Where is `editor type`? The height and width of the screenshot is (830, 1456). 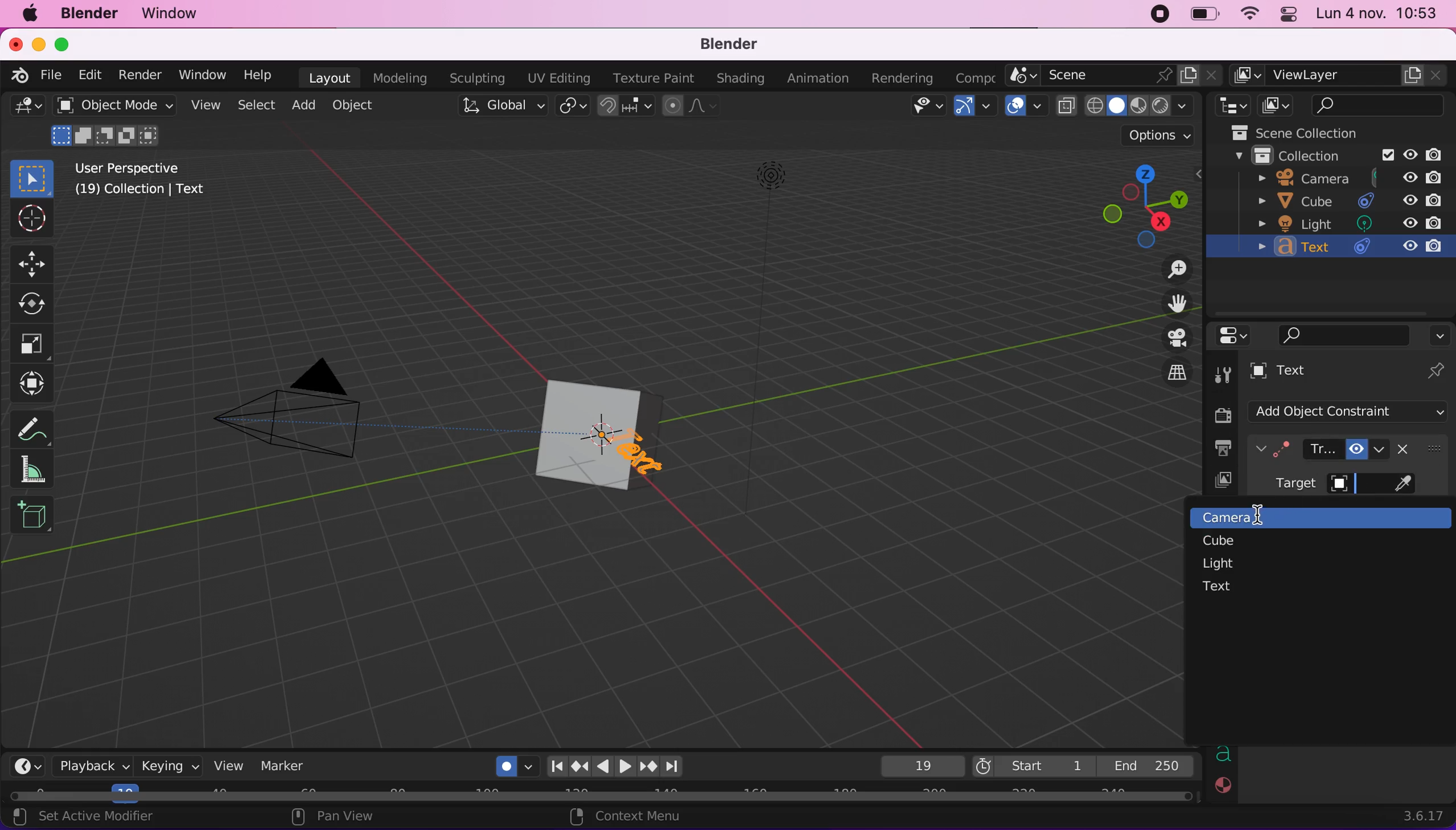 editor type is located at coordinates (29, 763).